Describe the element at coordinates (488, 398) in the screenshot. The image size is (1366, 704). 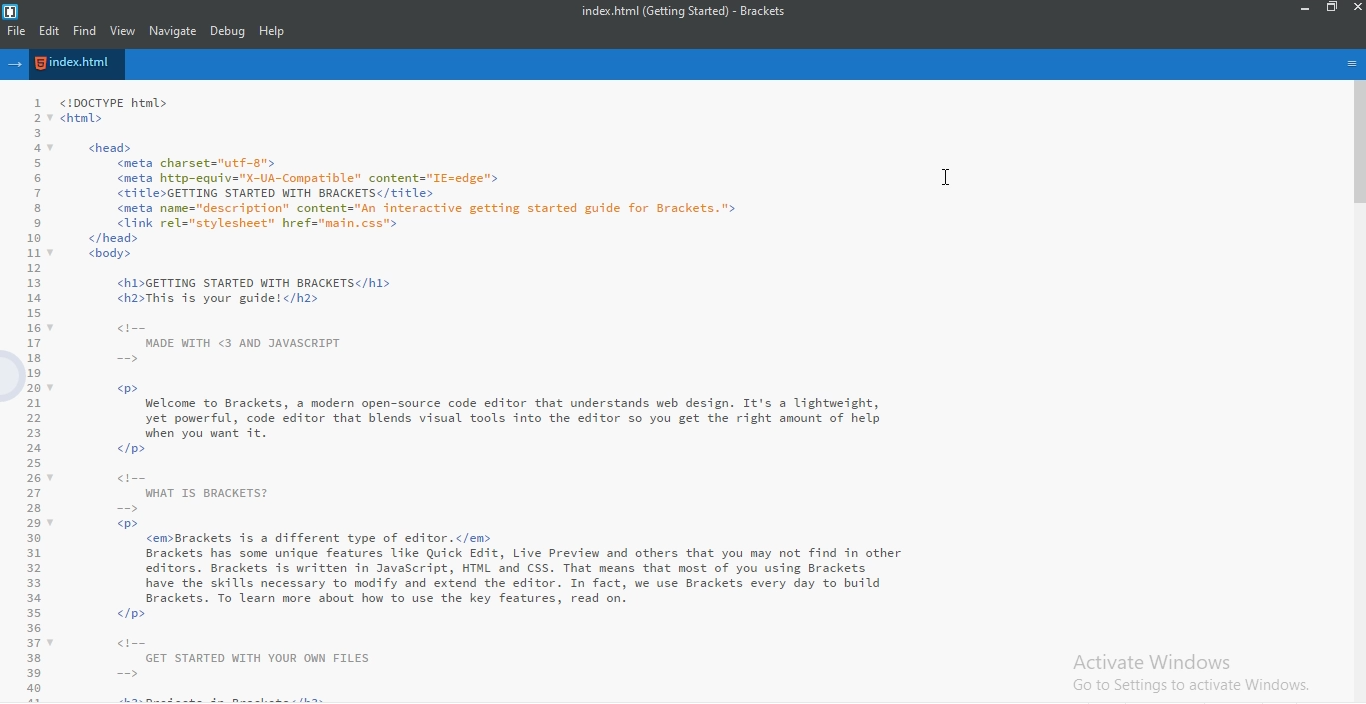
I see `Welcome to Brackets, a modern open-source code editor that understands web design. It's a lightweight,yet powerful, code editor that blends visual tools into the editor so you get the right amount of help when you want it.` at that location.